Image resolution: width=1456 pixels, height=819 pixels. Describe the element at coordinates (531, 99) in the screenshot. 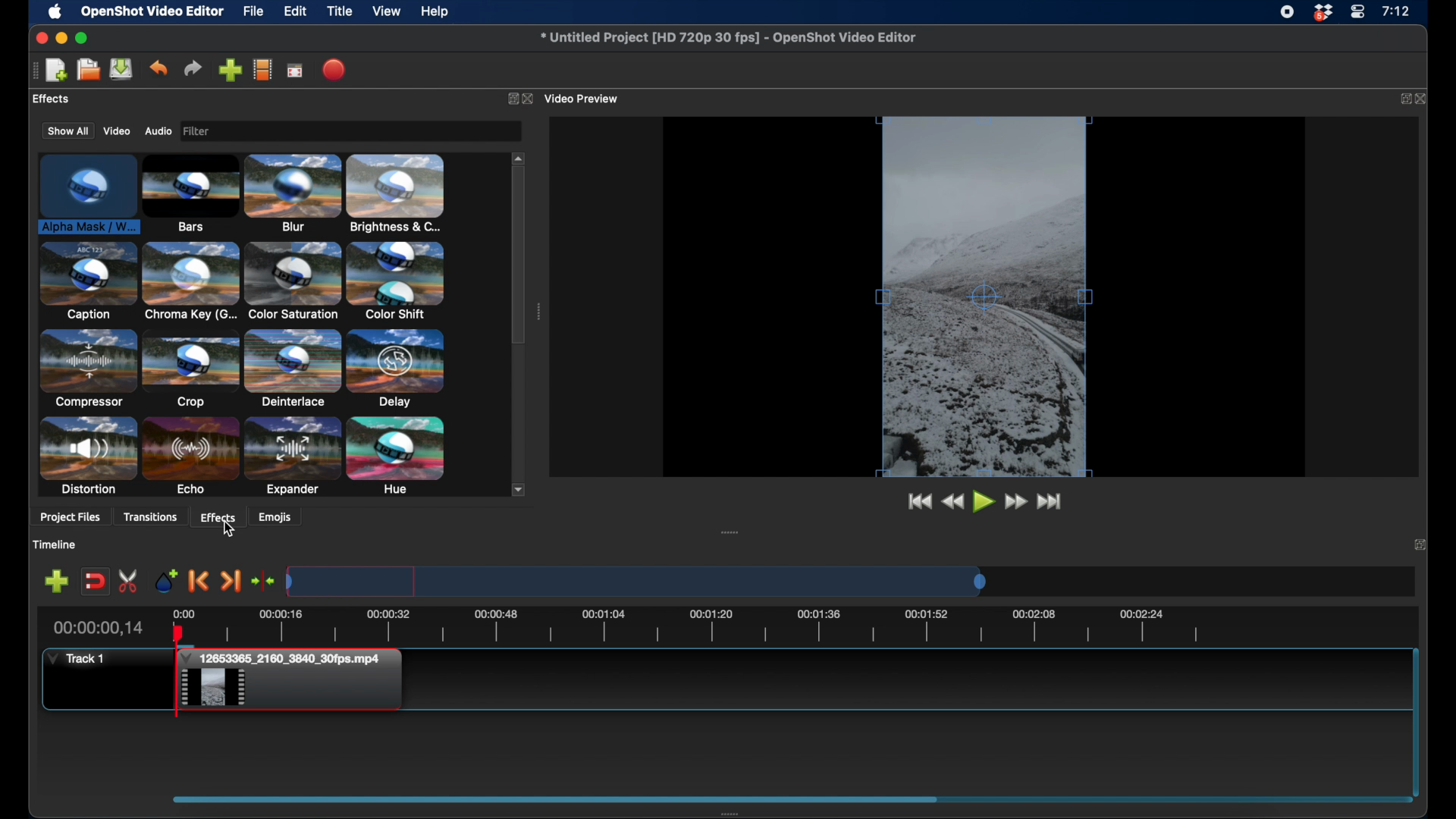

I see `close` at that location.